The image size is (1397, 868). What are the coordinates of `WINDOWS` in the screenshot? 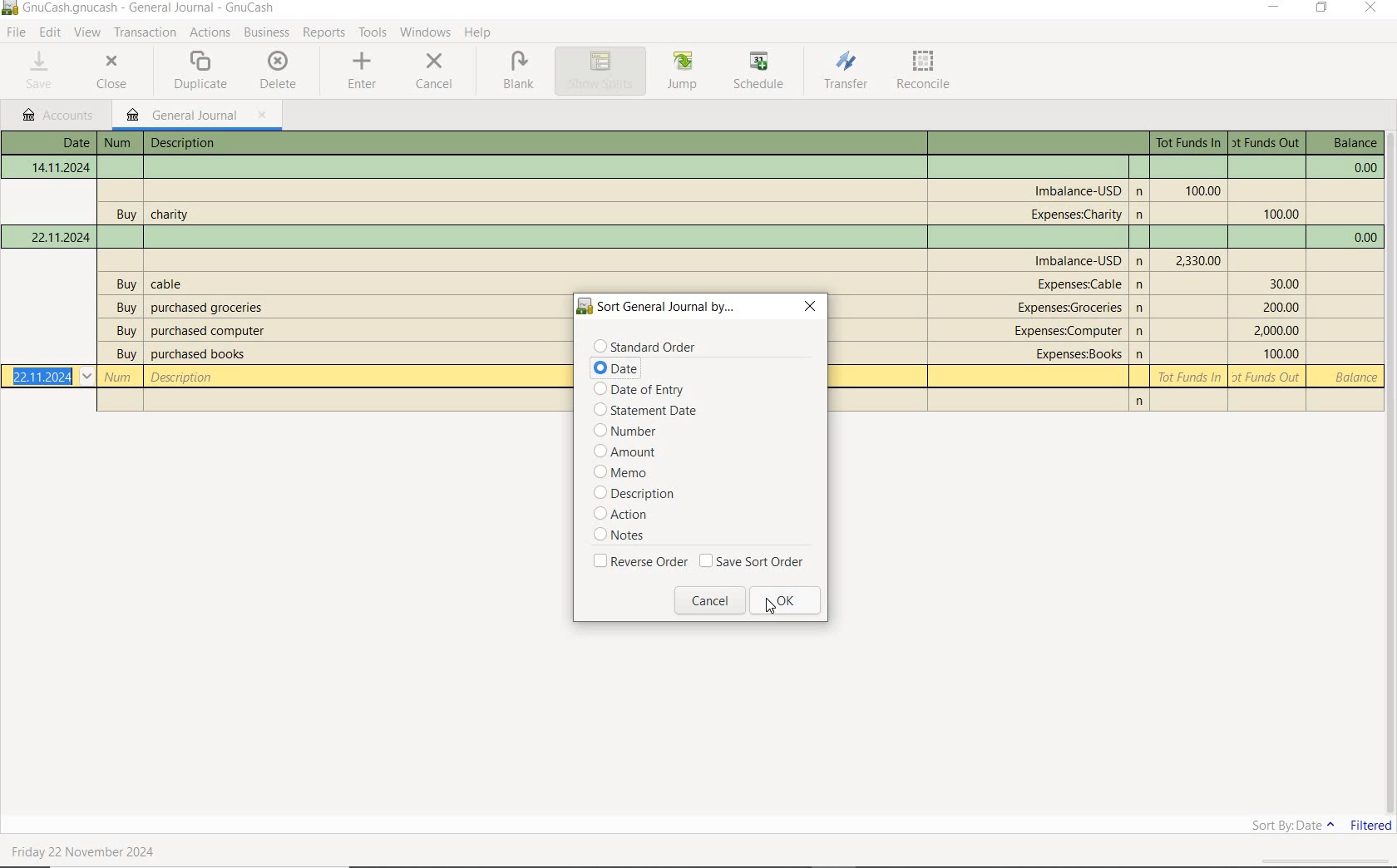 It's located at (426, 32).